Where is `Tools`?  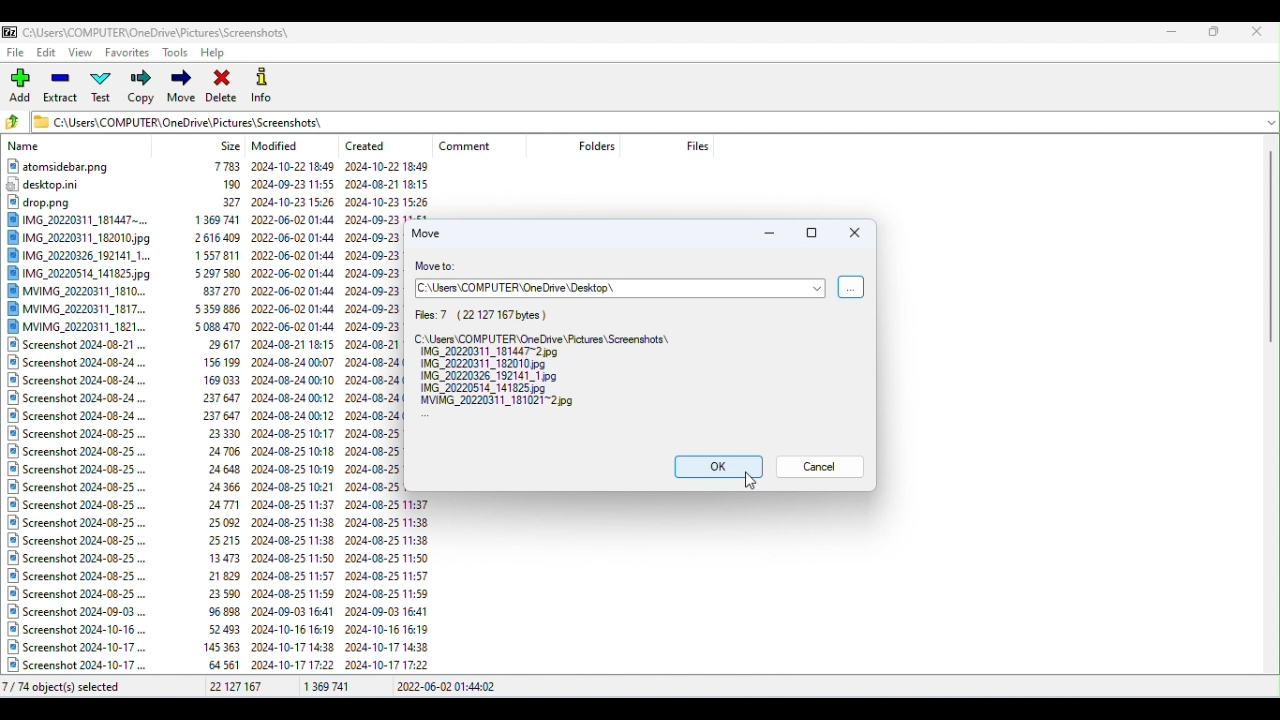
Tools is located at coordinates (176, 52).